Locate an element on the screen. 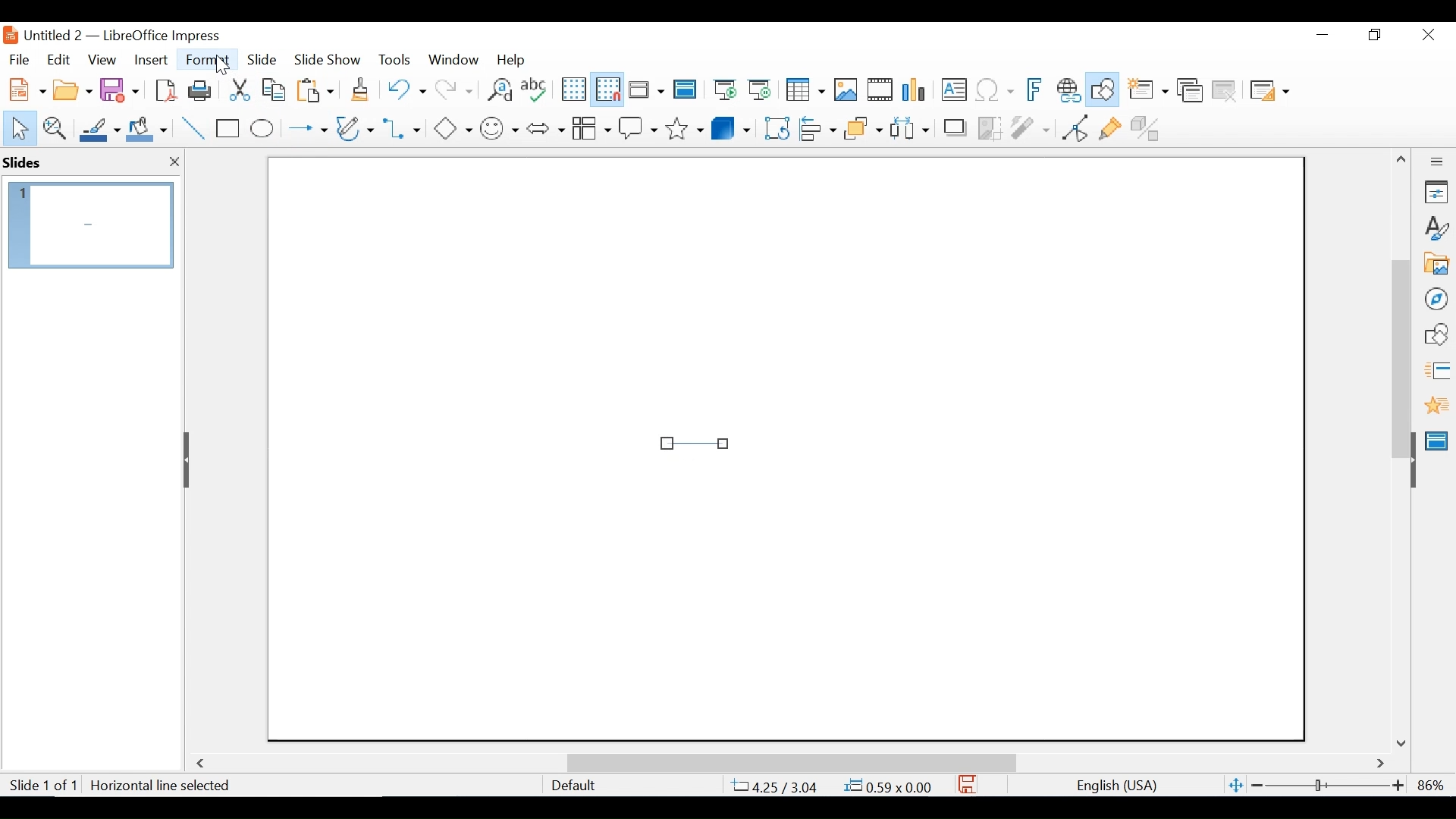 The width and height of the screenshot is (1456, 819). Zoom Slider is located at coordinates (1326, 786).